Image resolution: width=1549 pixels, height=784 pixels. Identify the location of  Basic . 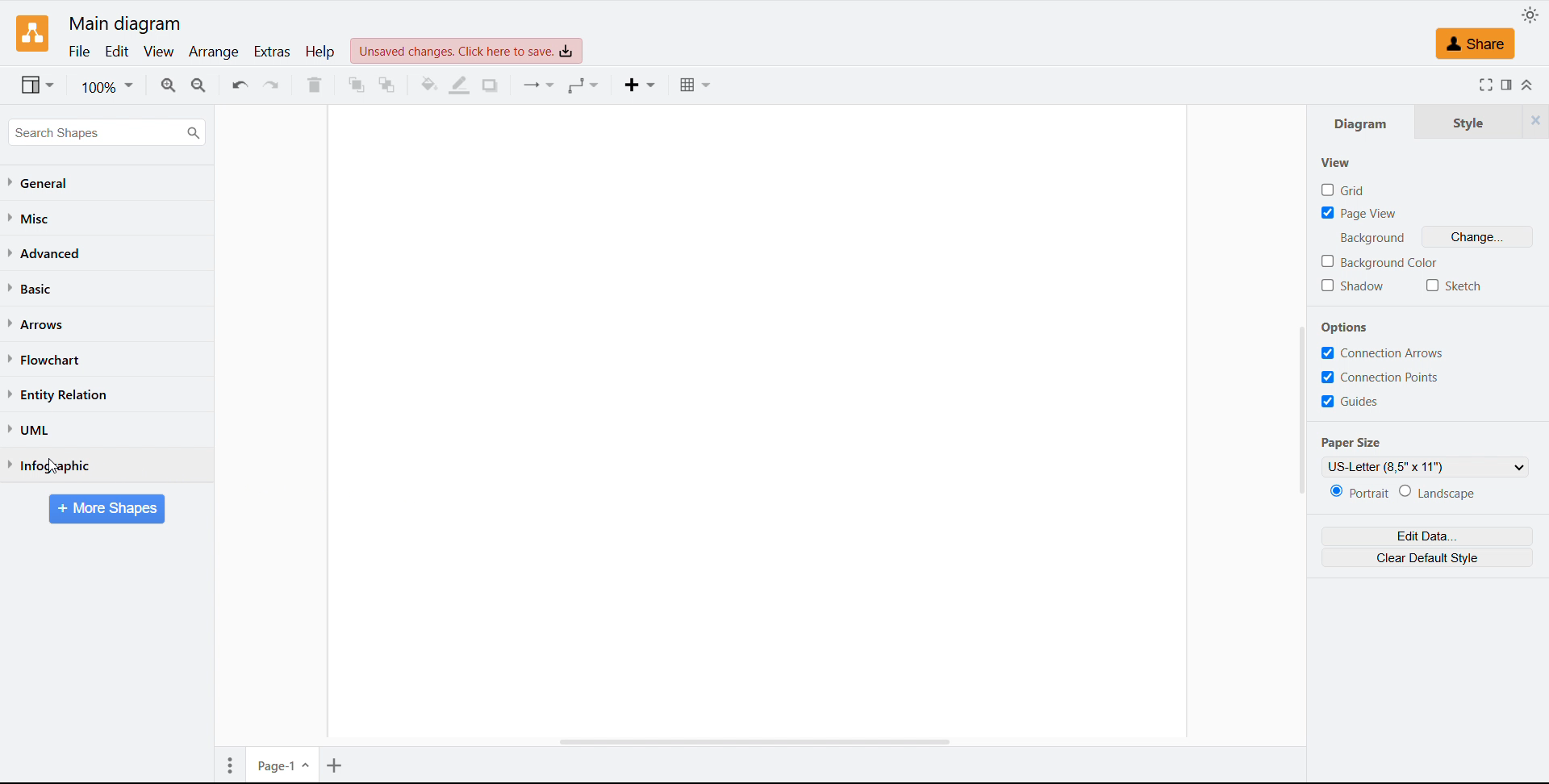
(33, 289).